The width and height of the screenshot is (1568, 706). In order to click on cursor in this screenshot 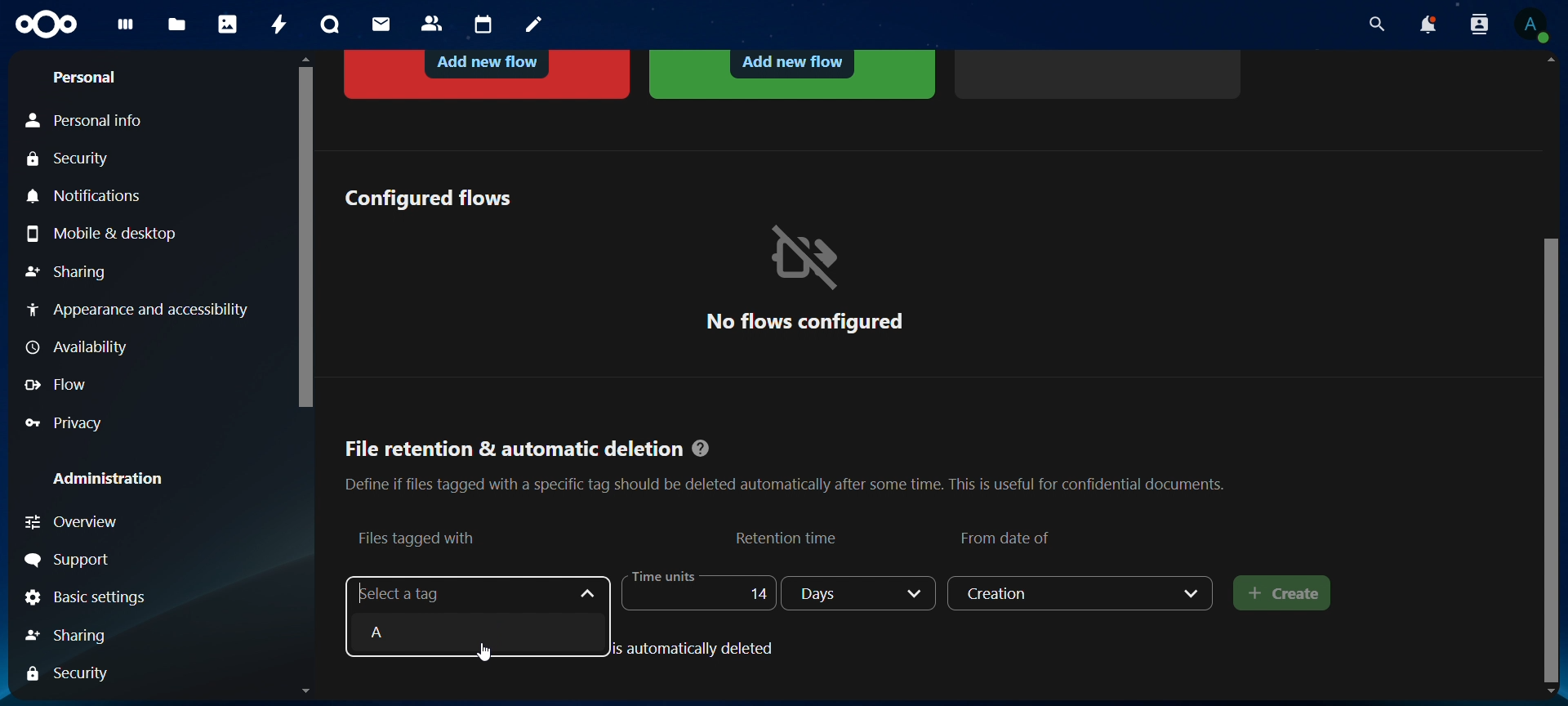, I will do `click(490, 653)`.